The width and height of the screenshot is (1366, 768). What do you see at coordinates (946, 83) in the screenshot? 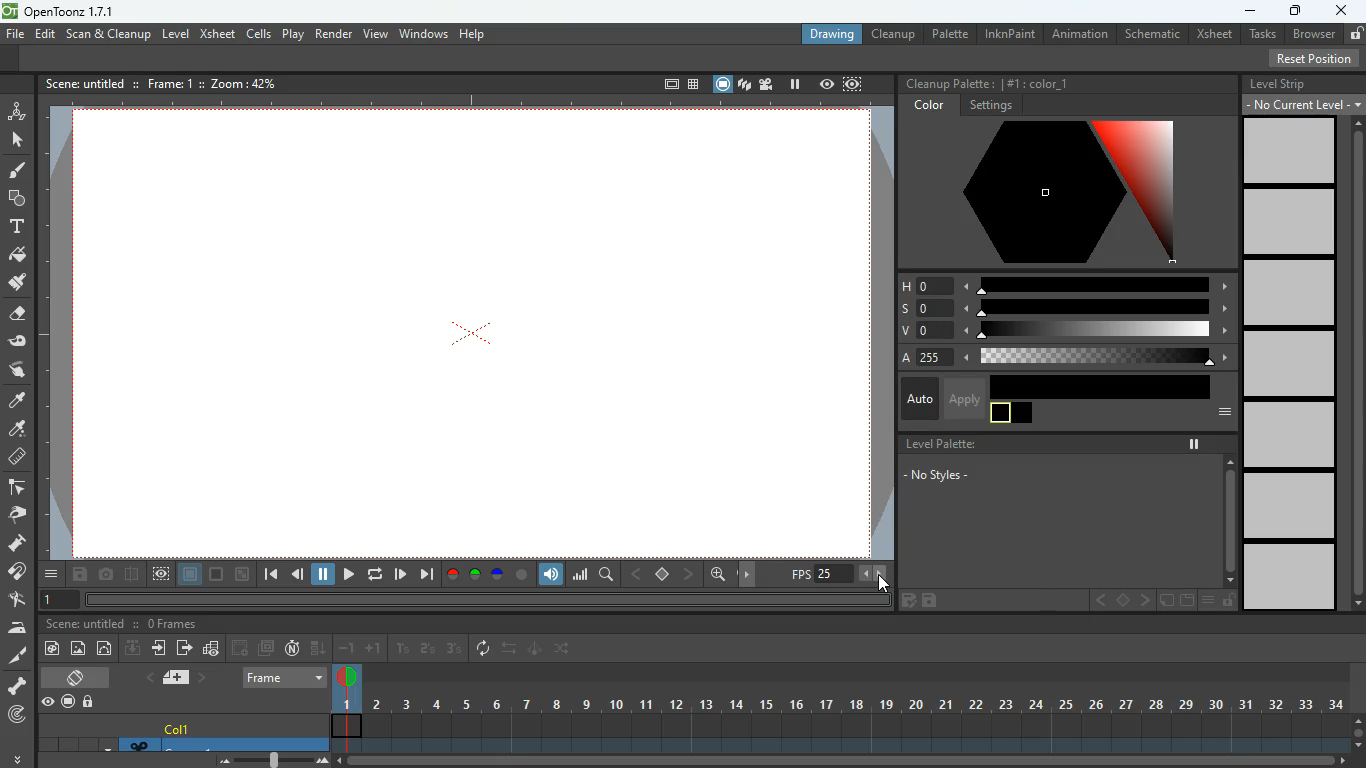
I see `cleanup palette` at bounding box center [946, 83].